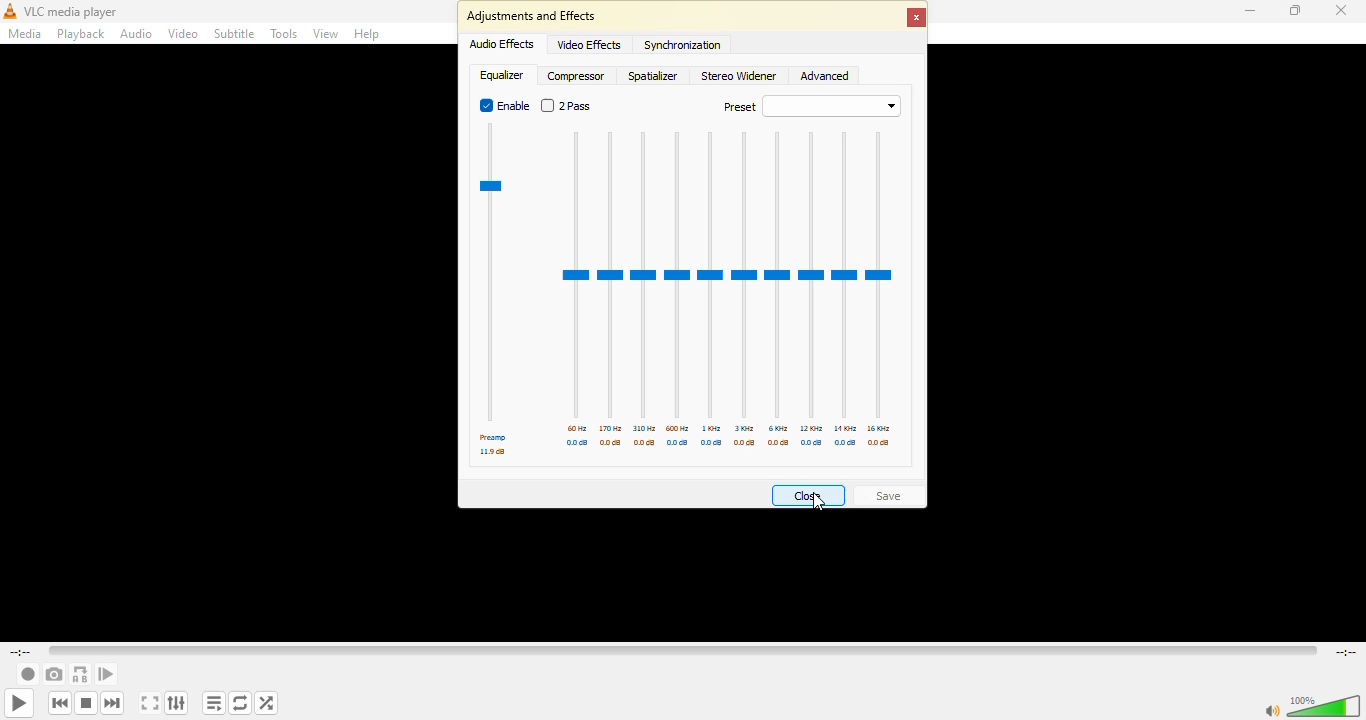 Image resolution: width=1366 pixels, height=720 pixels. Describe the element at coordinates (61, 12) in the screenshot. I see `vlc media player` at that location.